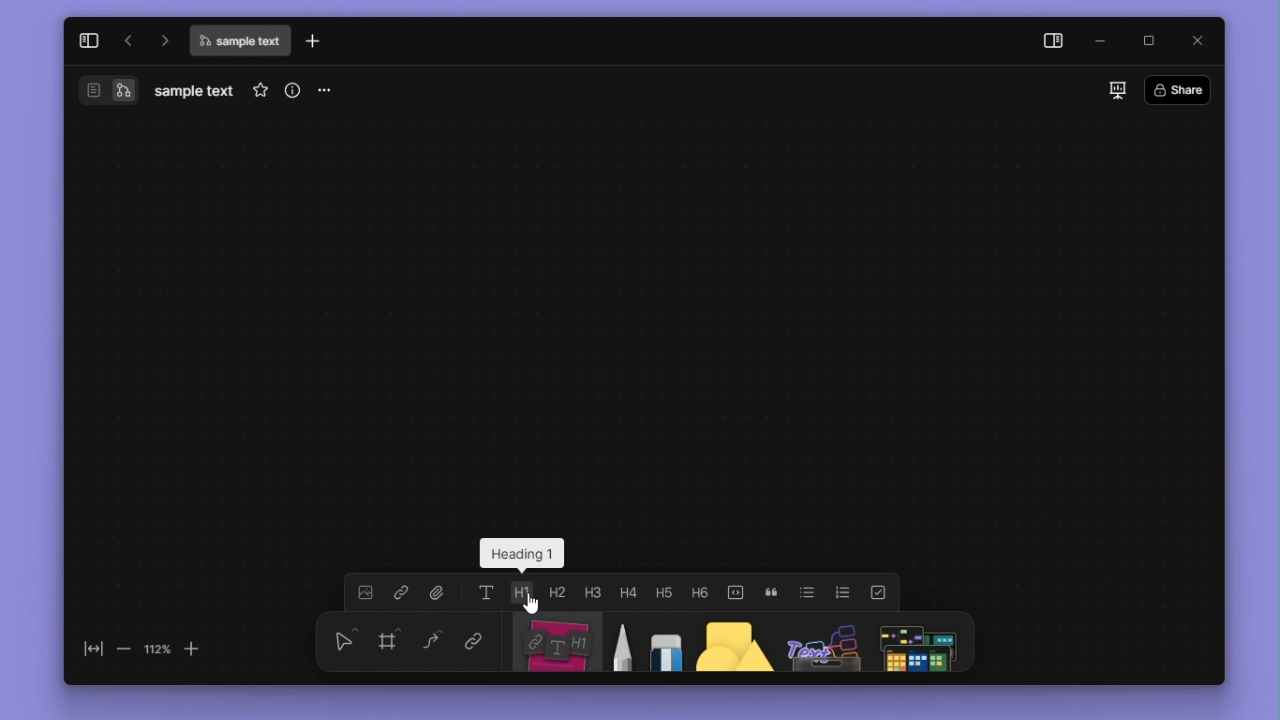 This screenshot has height=720, width=1280. What do you see at coordinates (917, 642) in the screenshot?
I see `more` at bounding box center [917, 642].